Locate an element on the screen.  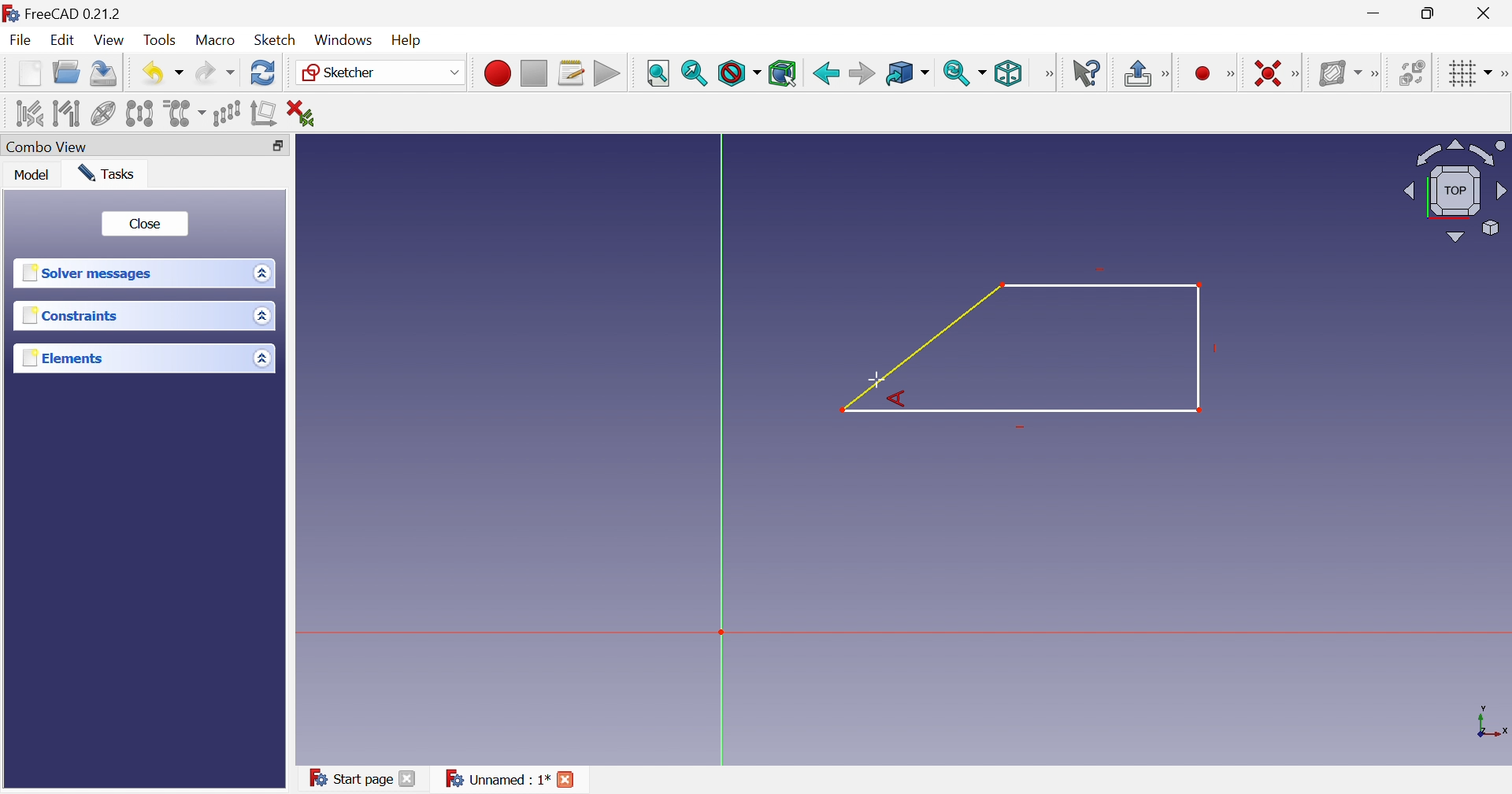
Unnamed : 1* is located at coordinates (497, 780).